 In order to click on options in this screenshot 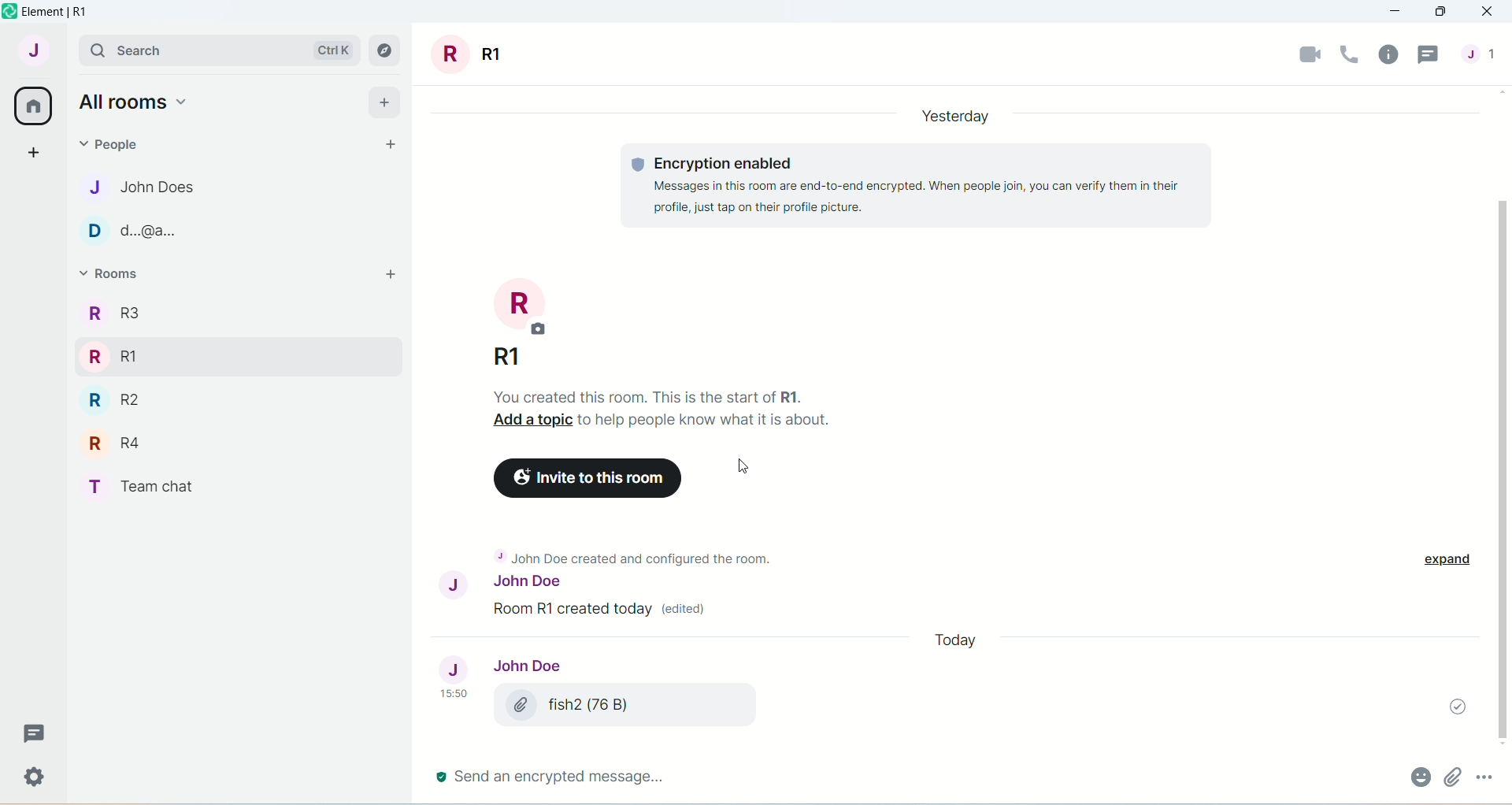, I will do `click(1492, 783)`.